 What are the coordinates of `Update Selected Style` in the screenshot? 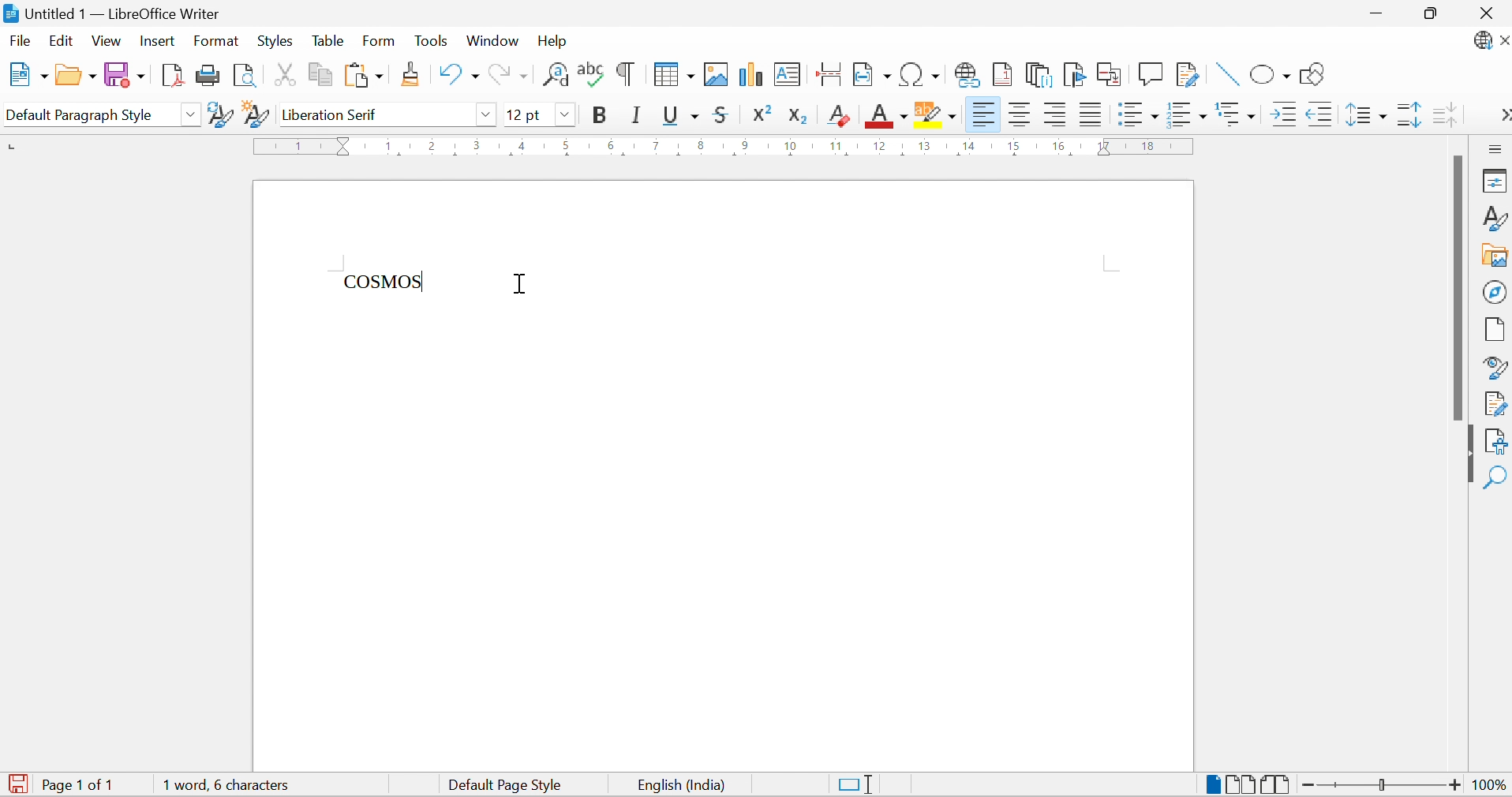 It's located at (219, 114).